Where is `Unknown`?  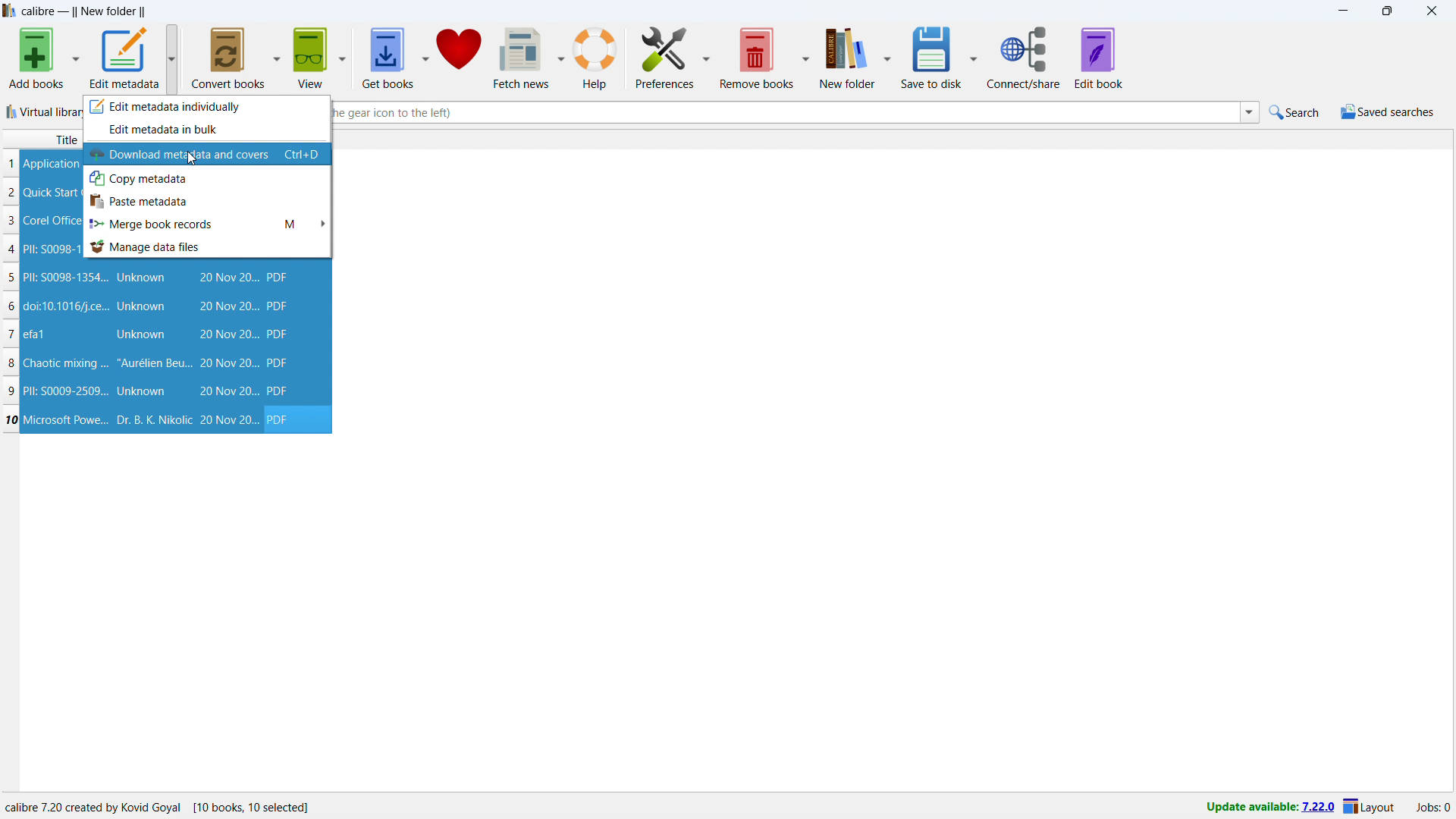
Unknown is located at coordinates (143, 306).